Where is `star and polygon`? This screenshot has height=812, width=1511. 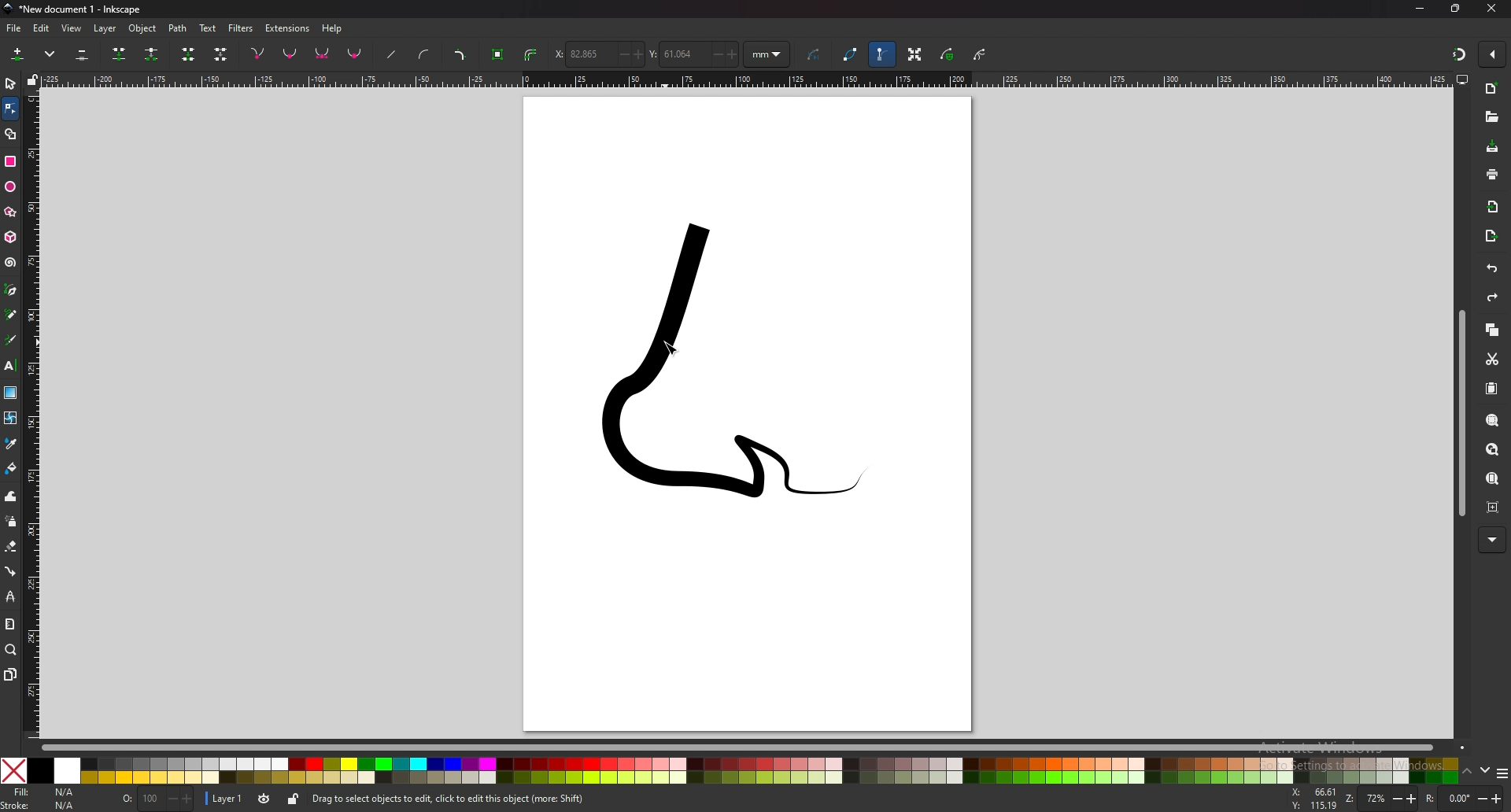 star and polygon is located at coordinates (11, 212).